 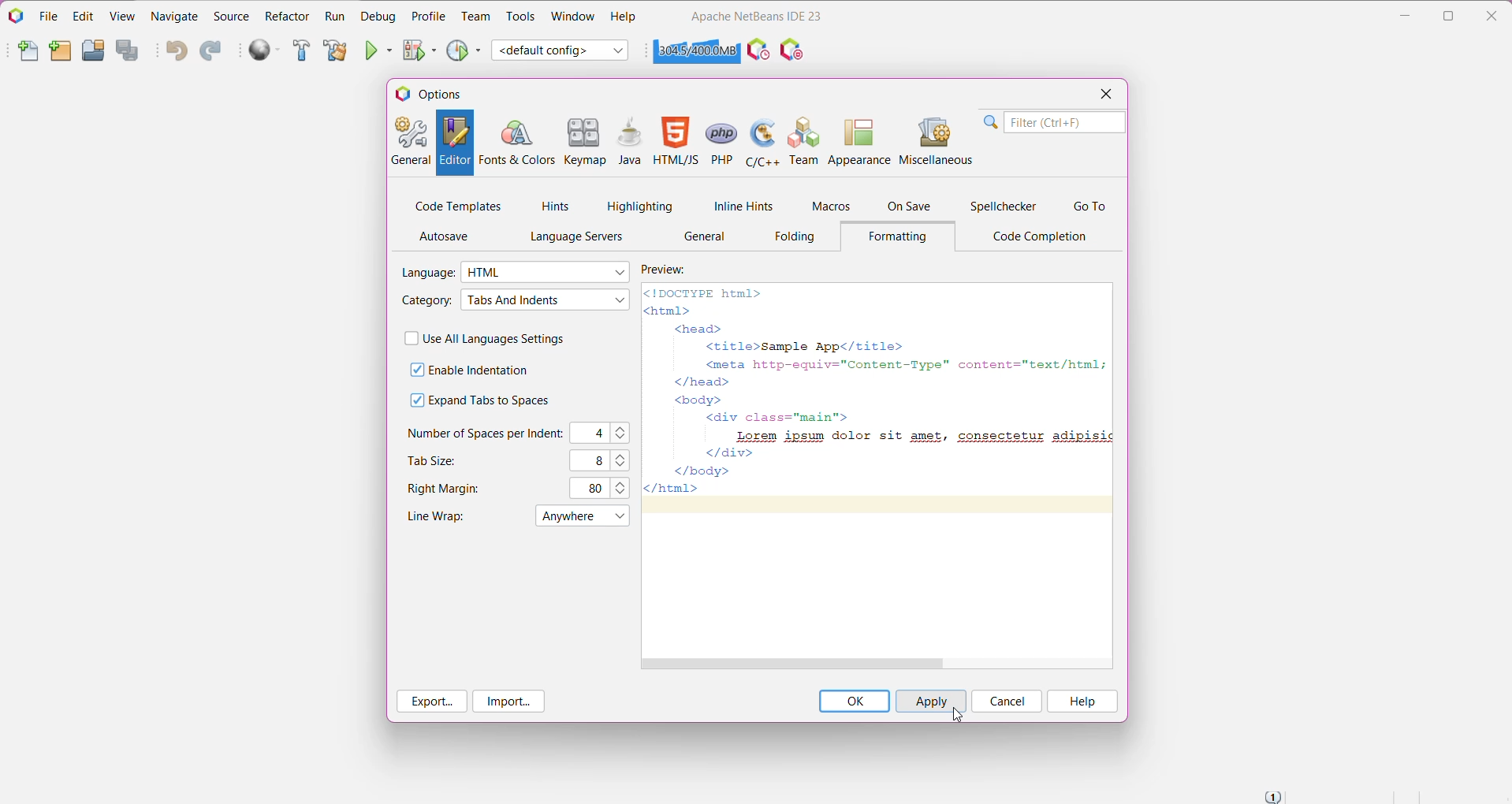 What do you see at coordinates (561, 50) in the screenshot?
I see `Set Project Configuration` at bounding box center [561, 50].